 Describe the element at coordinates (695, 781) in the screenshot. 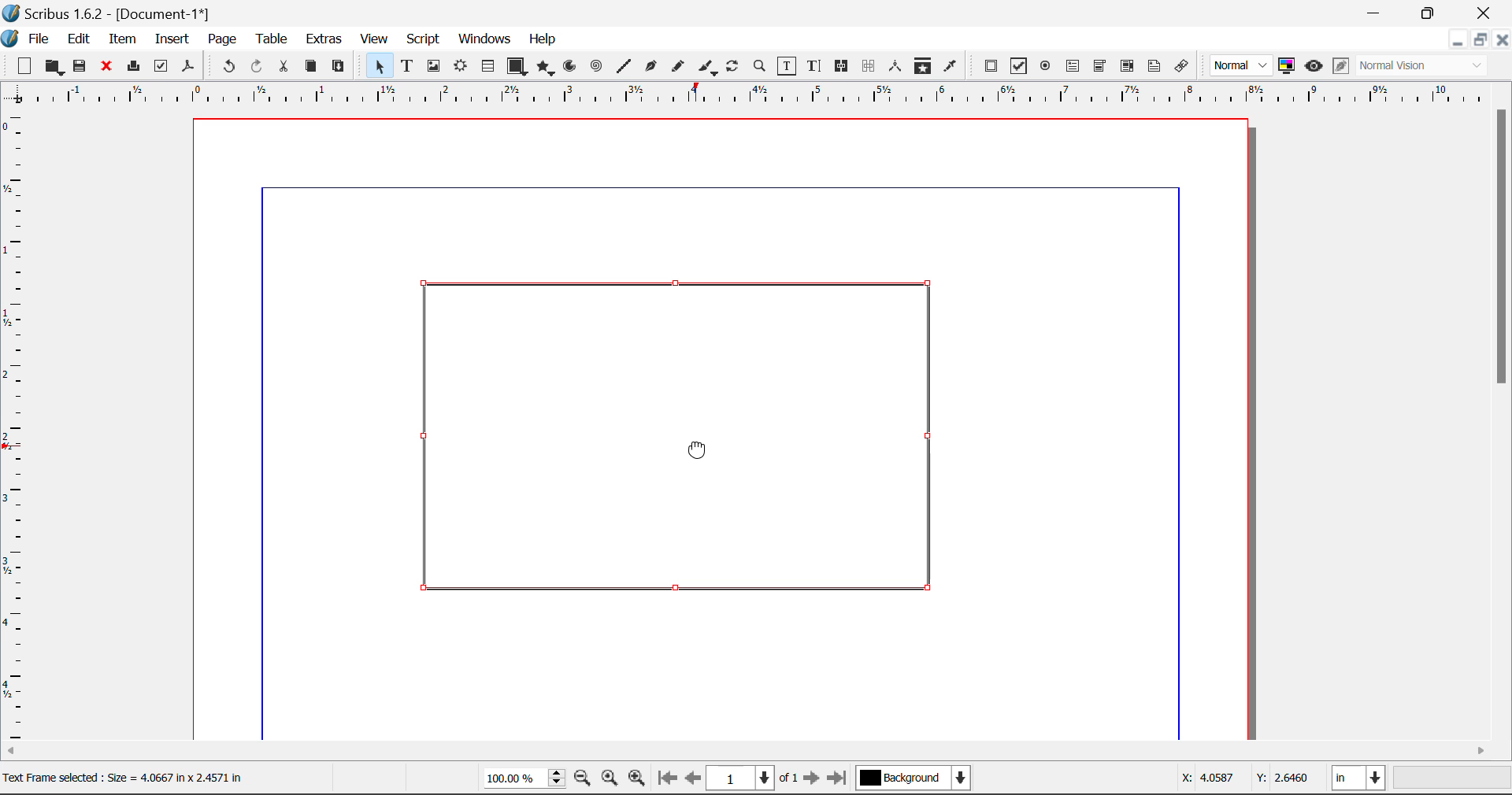

I see `Previous Page` at that location.